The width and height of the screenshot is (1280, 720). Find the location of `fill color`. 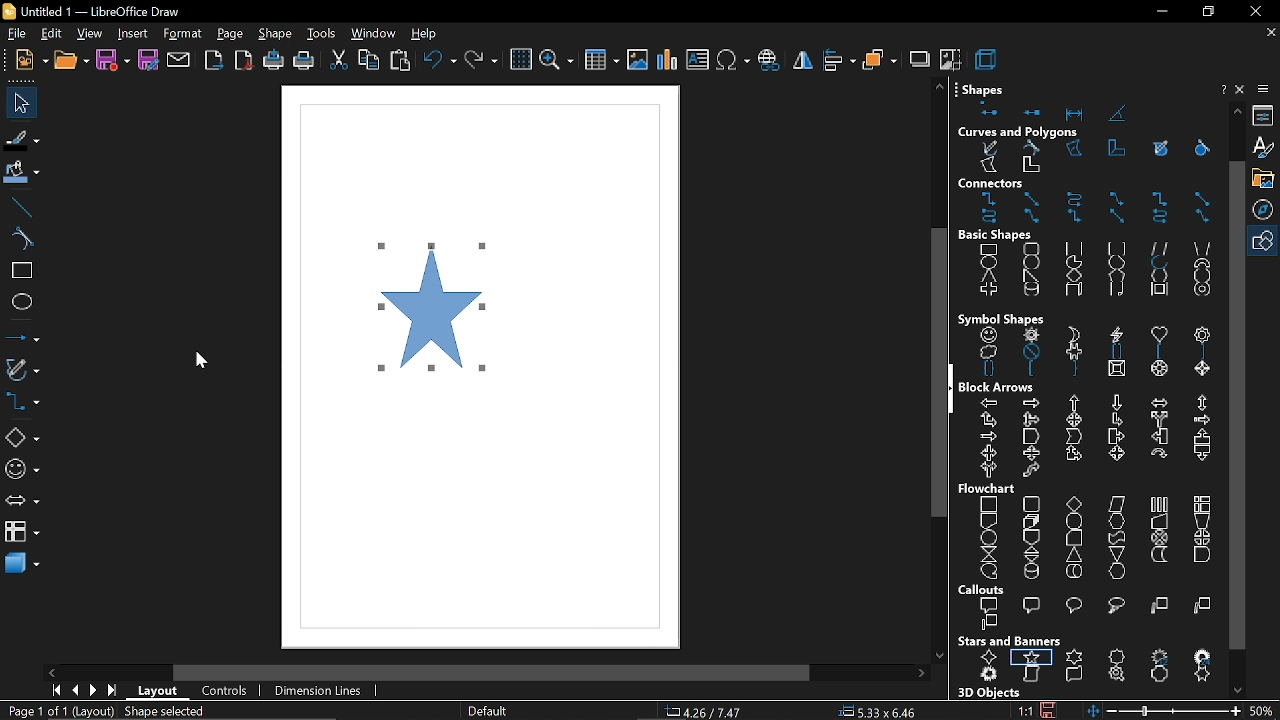

fill color is located at coordinates (22, 173).